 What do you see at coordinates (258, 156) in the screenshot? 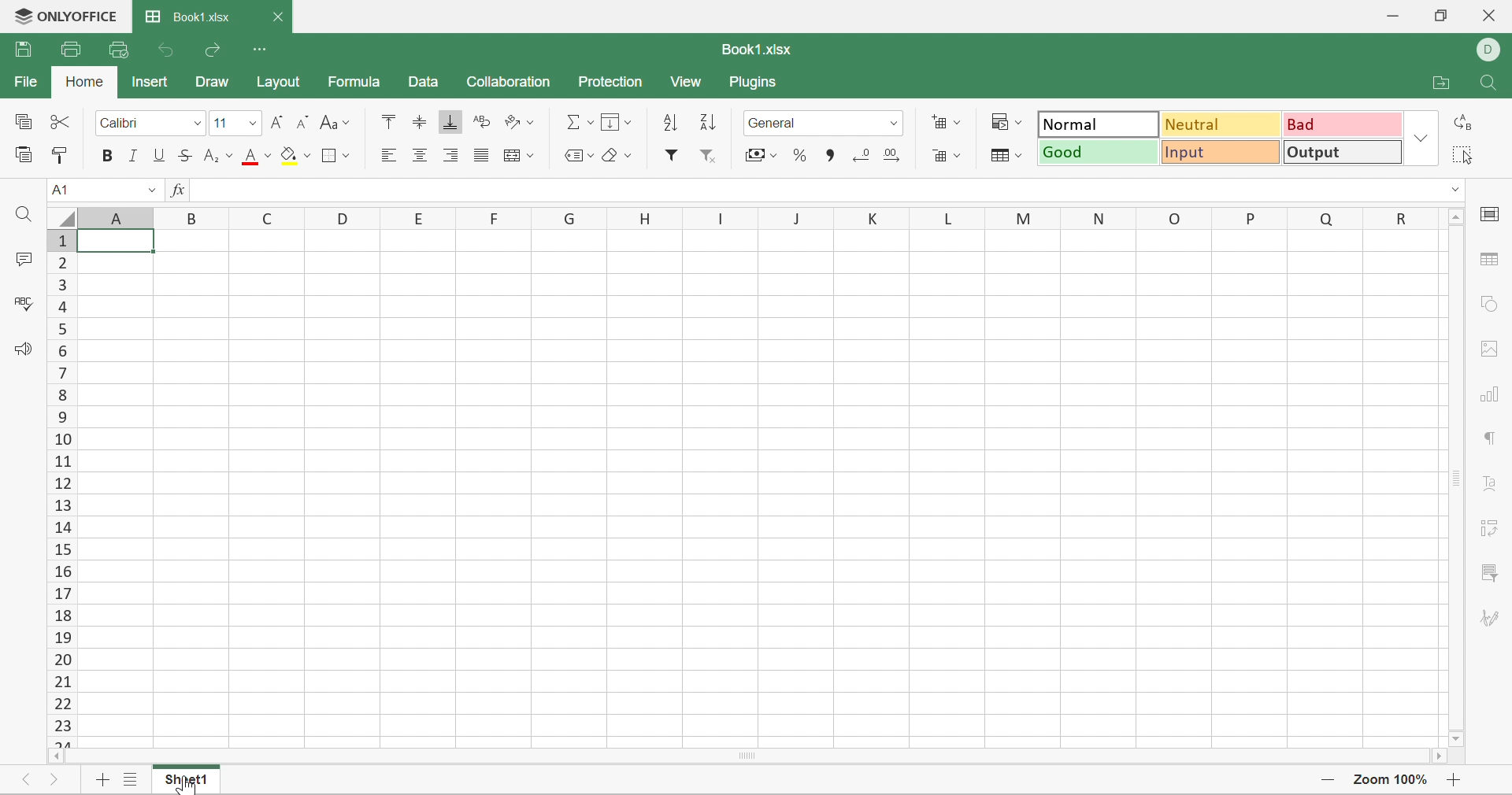
I see `Font color` at bounding box center [258, 156].